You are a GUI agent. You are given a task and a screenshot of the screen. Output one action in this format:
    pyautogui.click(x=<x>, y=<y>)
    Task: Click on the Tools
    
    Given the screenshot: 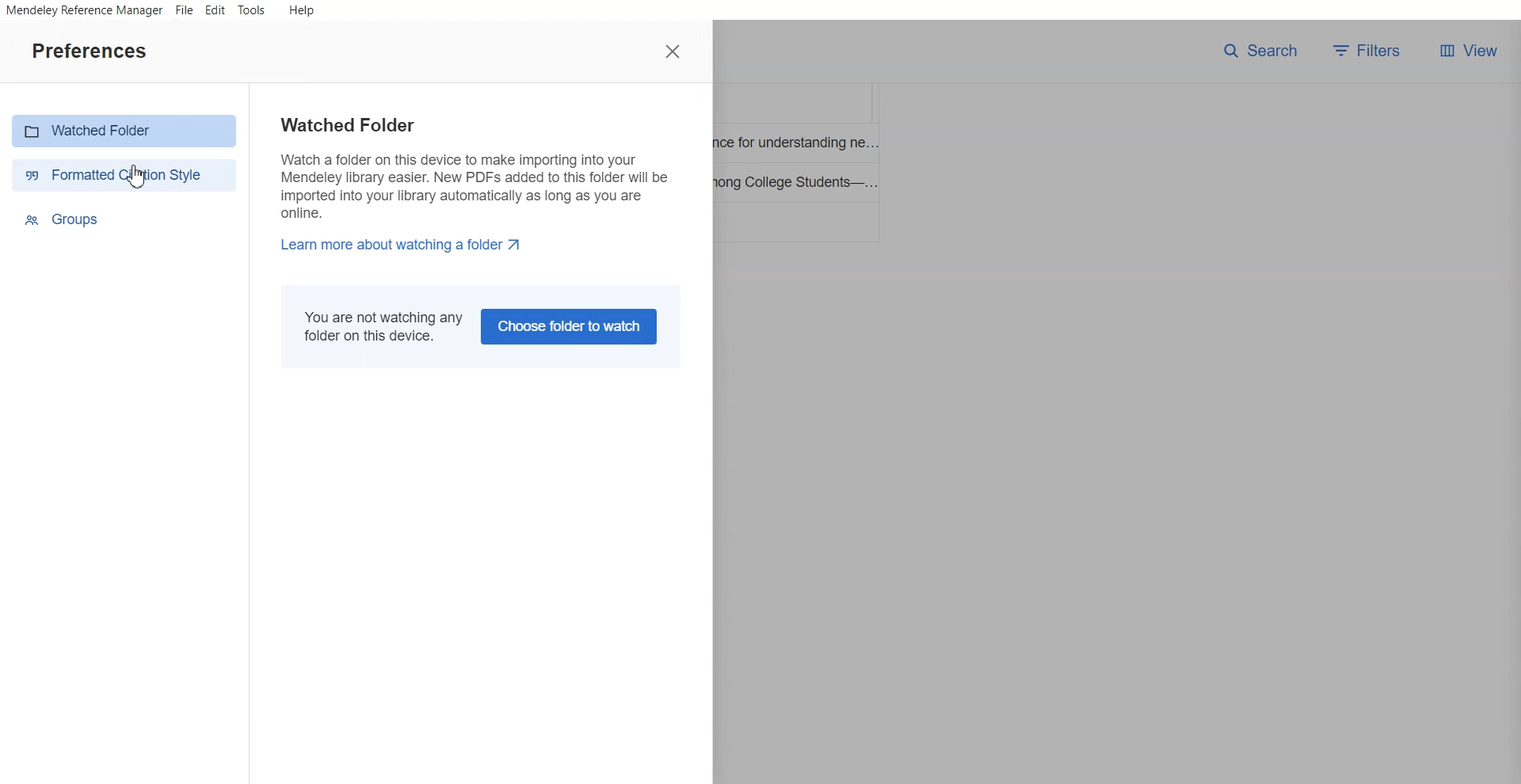 What is the action you would take?
    pyautogui.click(x=252, y=11)
    